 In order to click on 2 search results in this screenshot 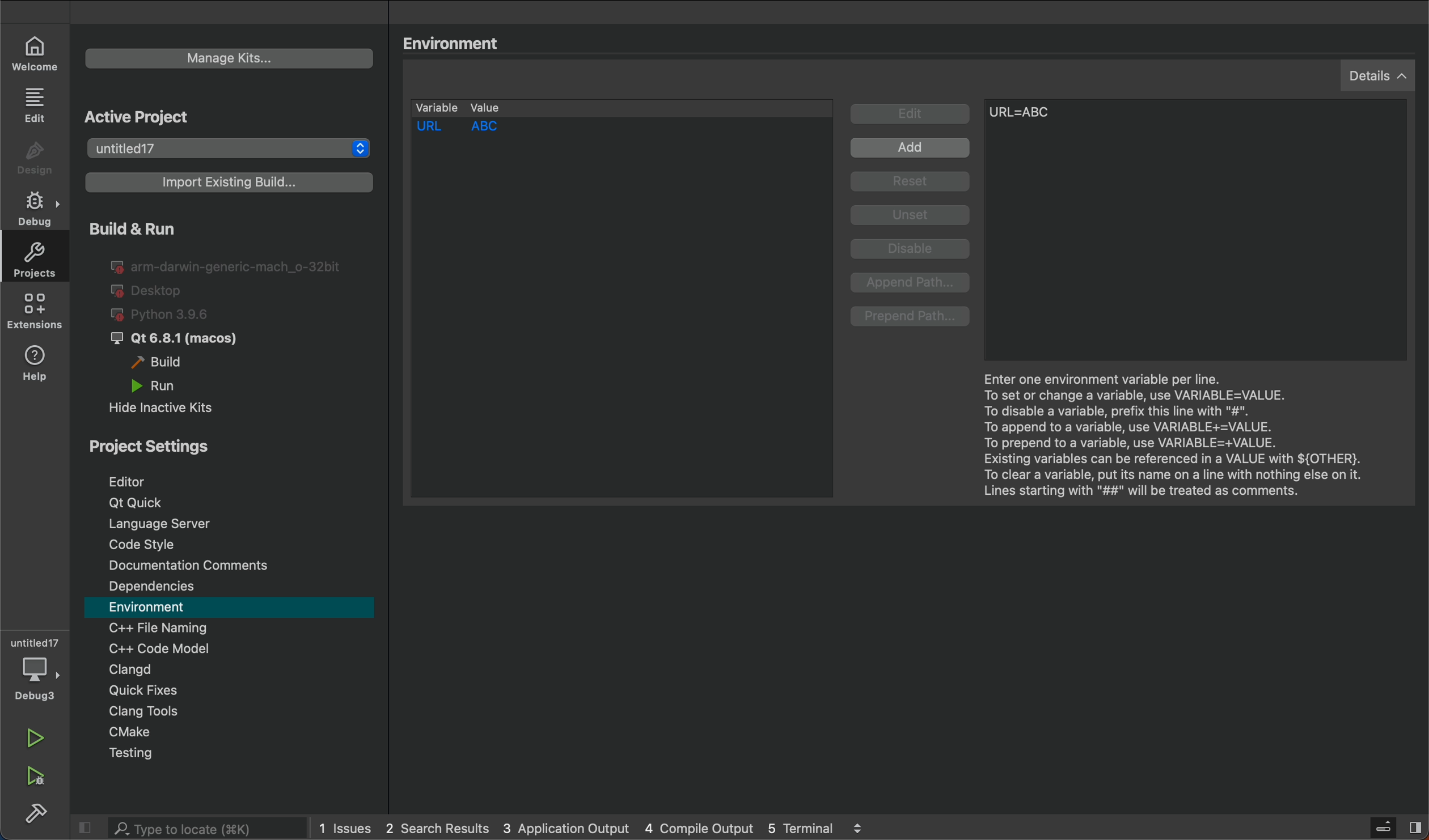, I will do `click(438, 829)`.